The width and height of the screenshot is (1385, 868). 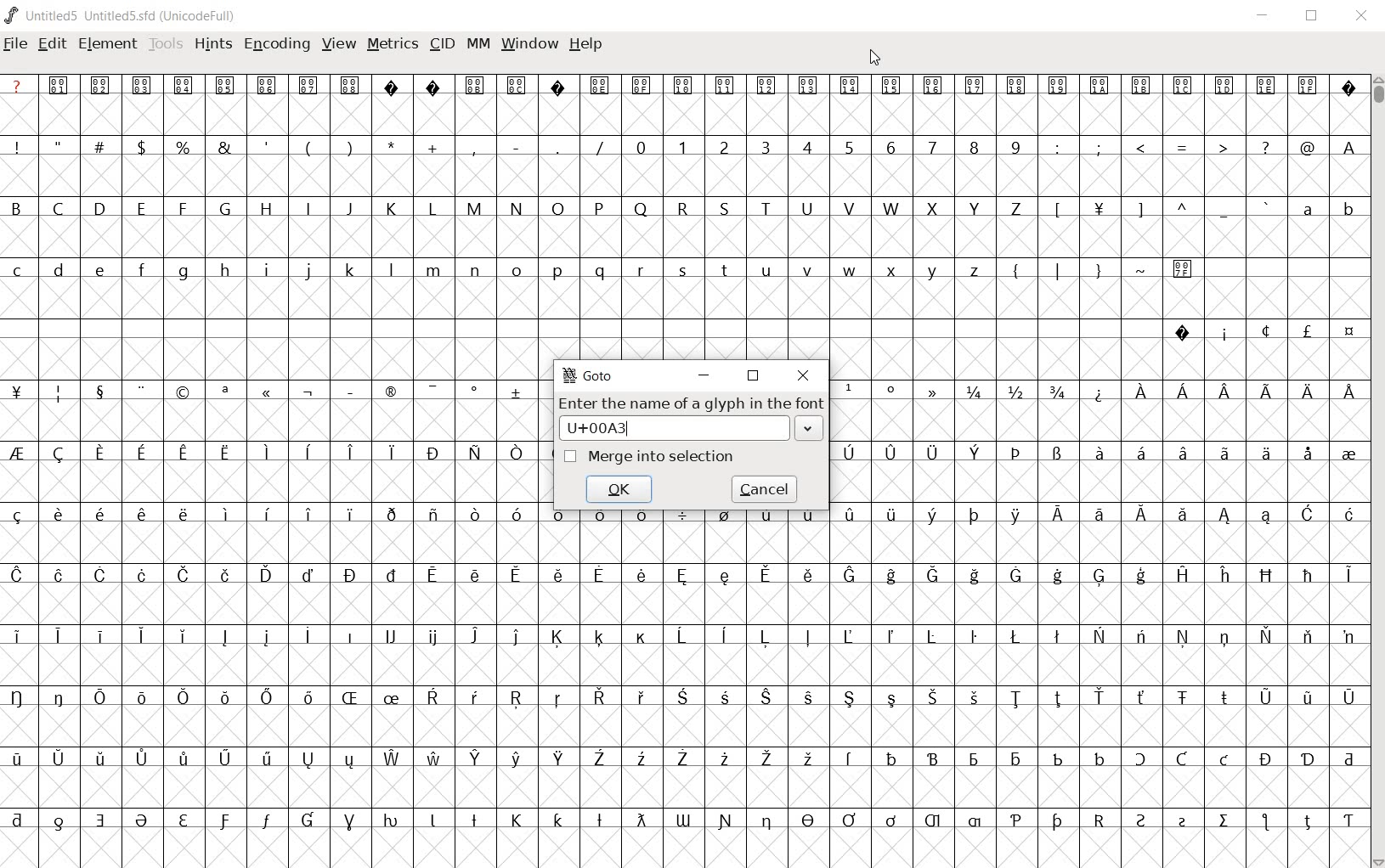 What do you see at coordinates (1096, 454) in the screenshot?
I see `Symbol` at bounding box center [1096, 454].